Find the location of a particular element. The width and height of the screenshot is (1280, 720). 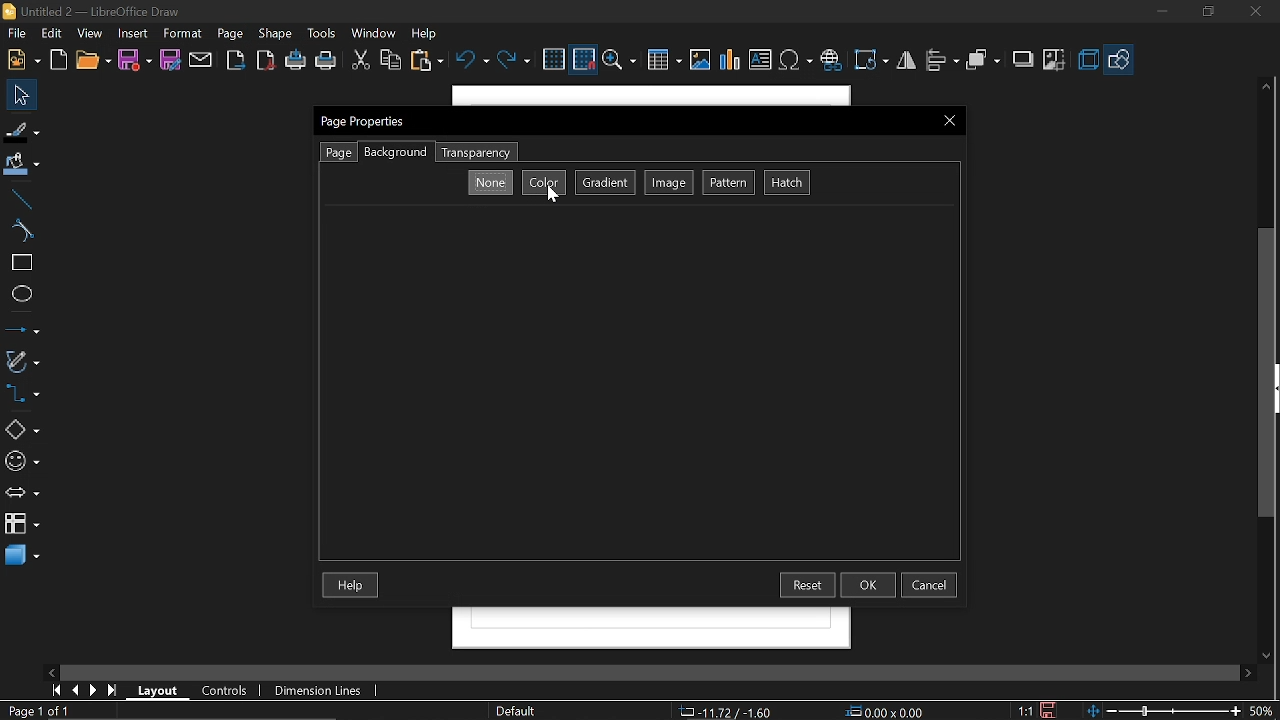

Go to last page is located at coordinates (115, 691).